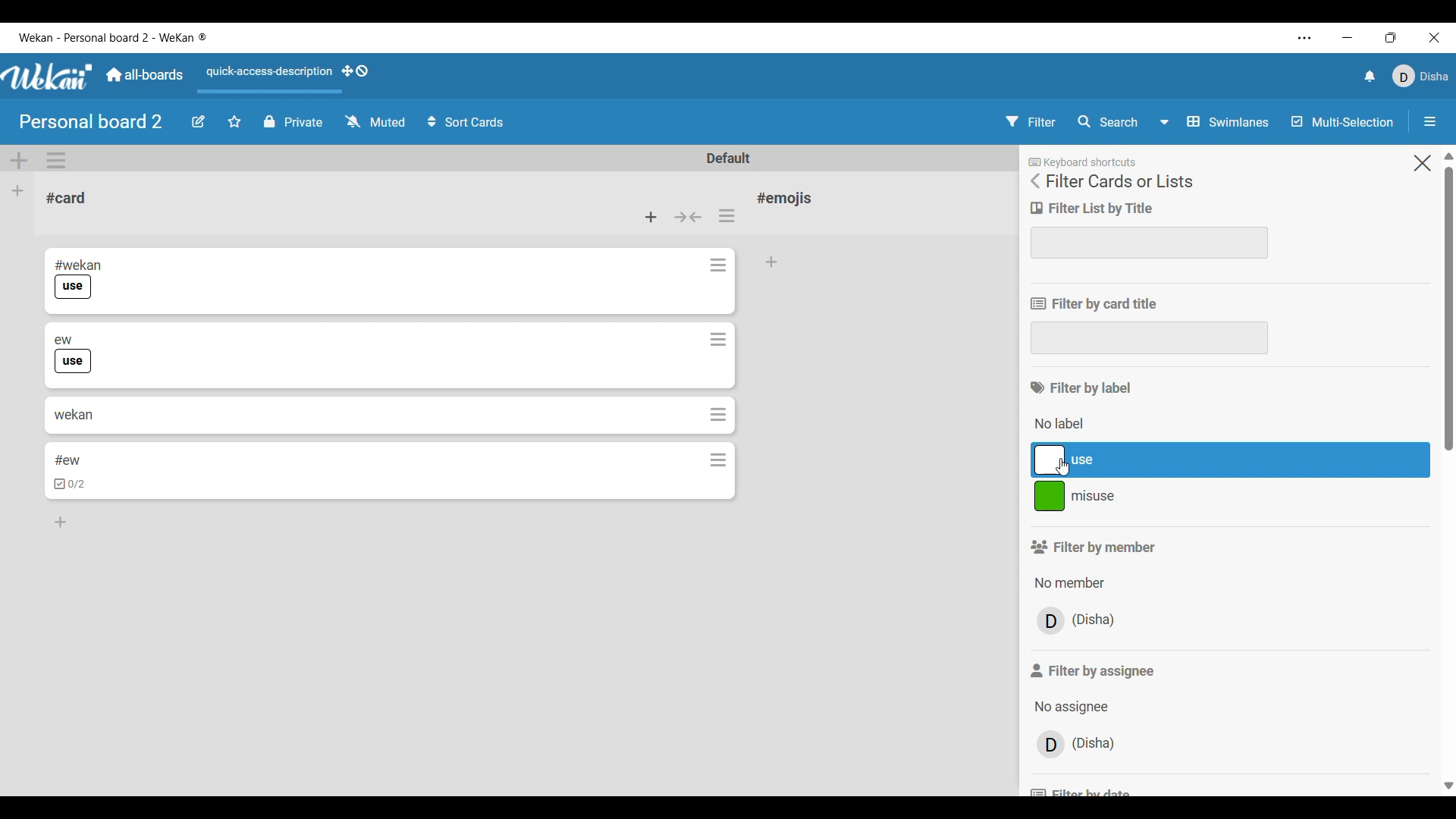  I want to click on keyboard shortcut, so click(1087, 161).